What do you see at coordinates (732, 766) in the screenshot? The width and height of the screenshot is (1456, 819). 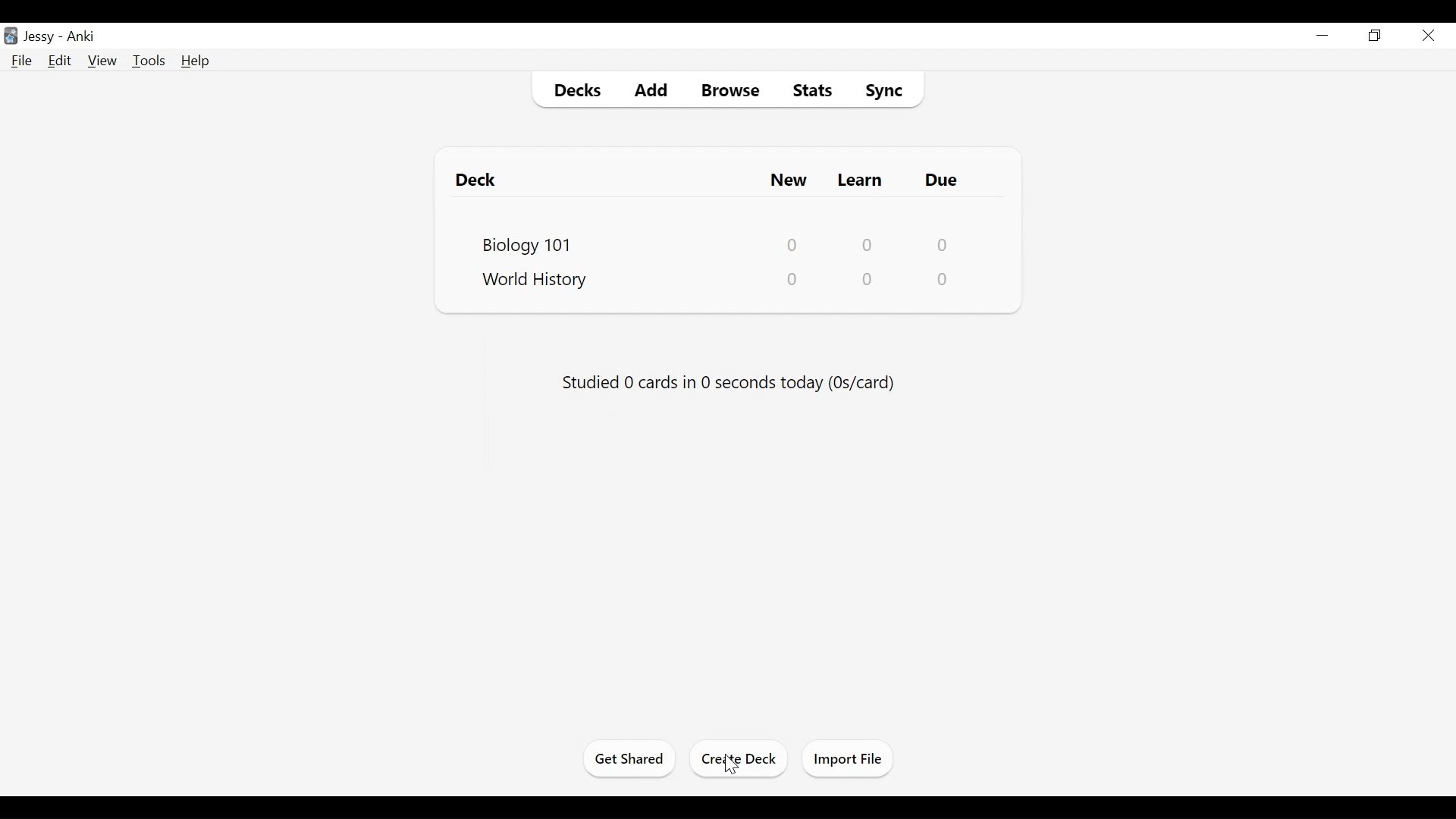 I see `Cursor` at bounding box center [732, 766].